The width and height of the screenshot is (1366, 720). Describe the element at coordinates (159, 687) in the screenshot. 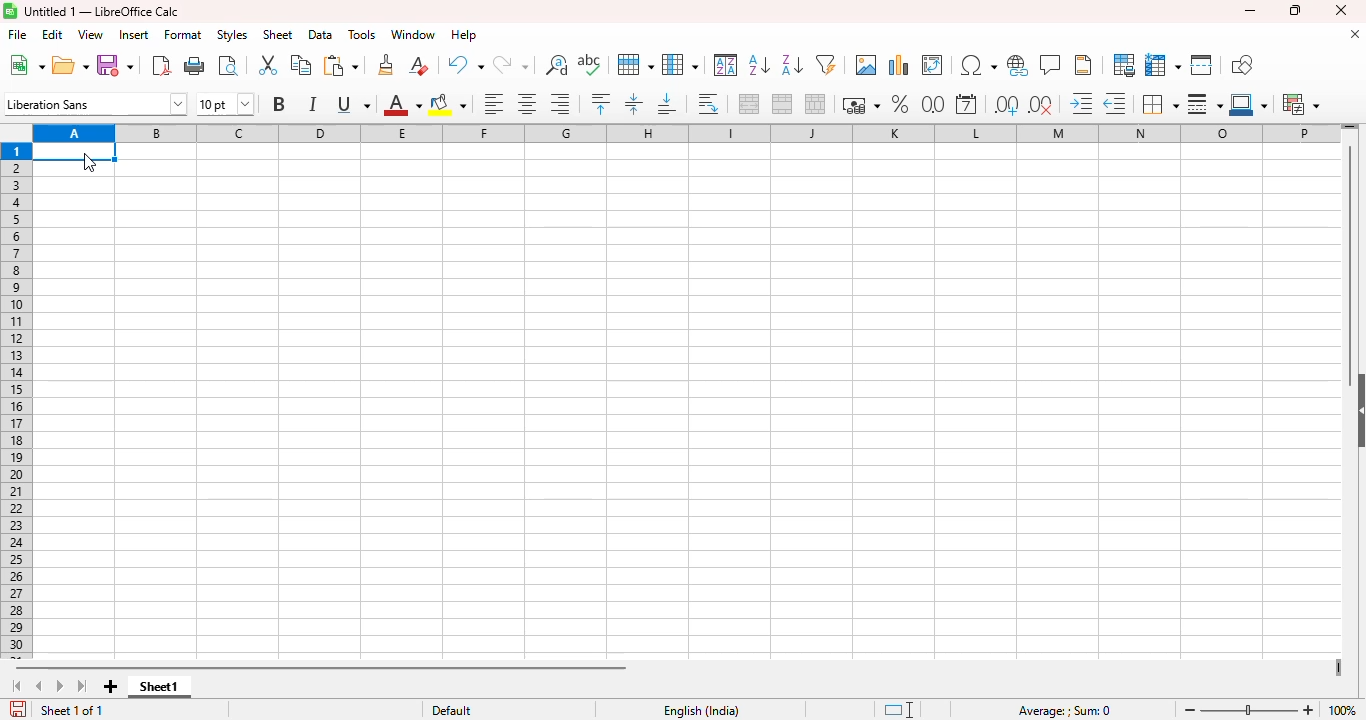

I see `sheet1` at that location.